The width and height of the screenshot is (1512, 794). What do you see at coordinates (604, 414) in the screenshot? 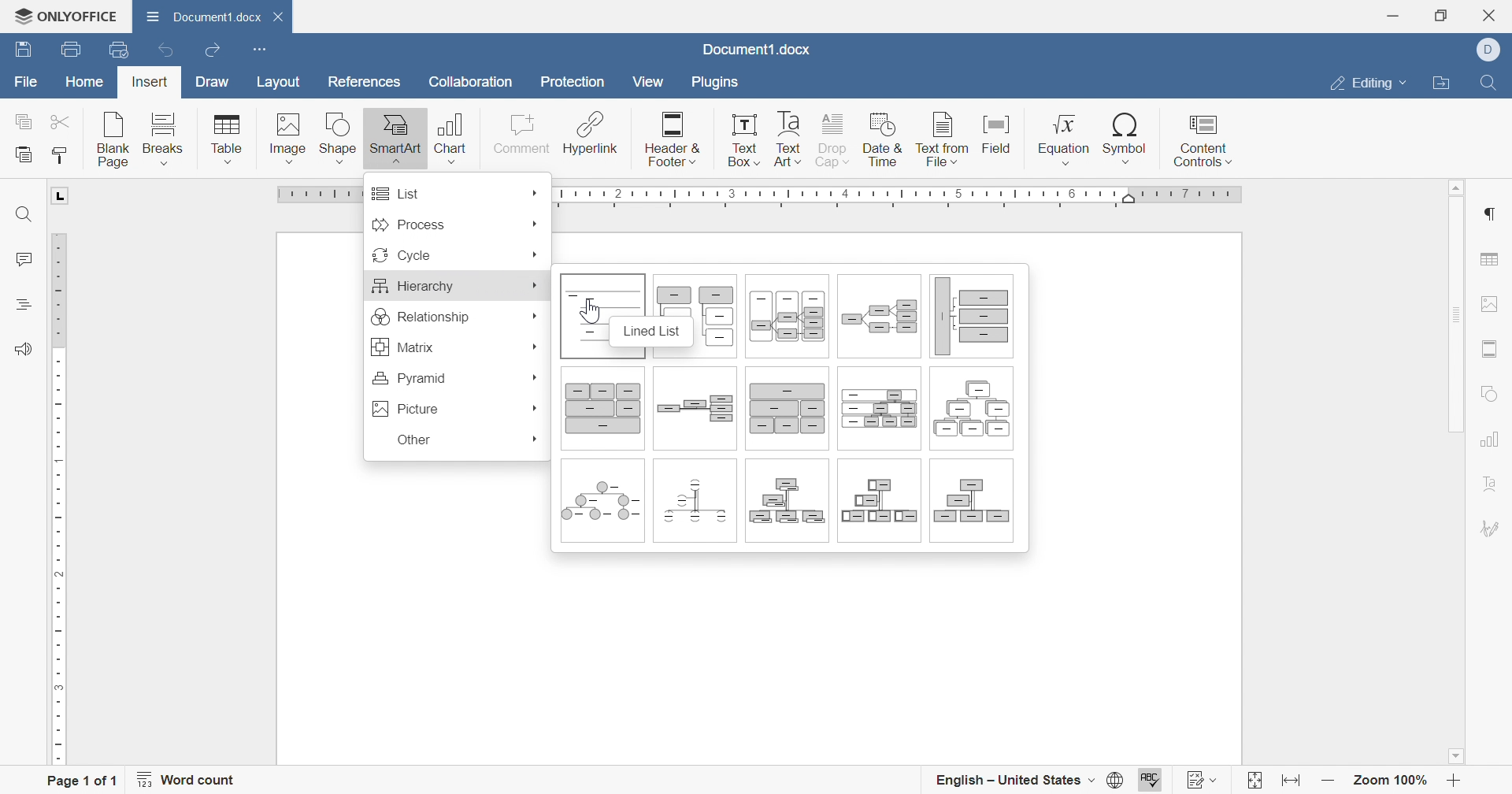
I see `Architecture layout` at bounding box center [604, 414].